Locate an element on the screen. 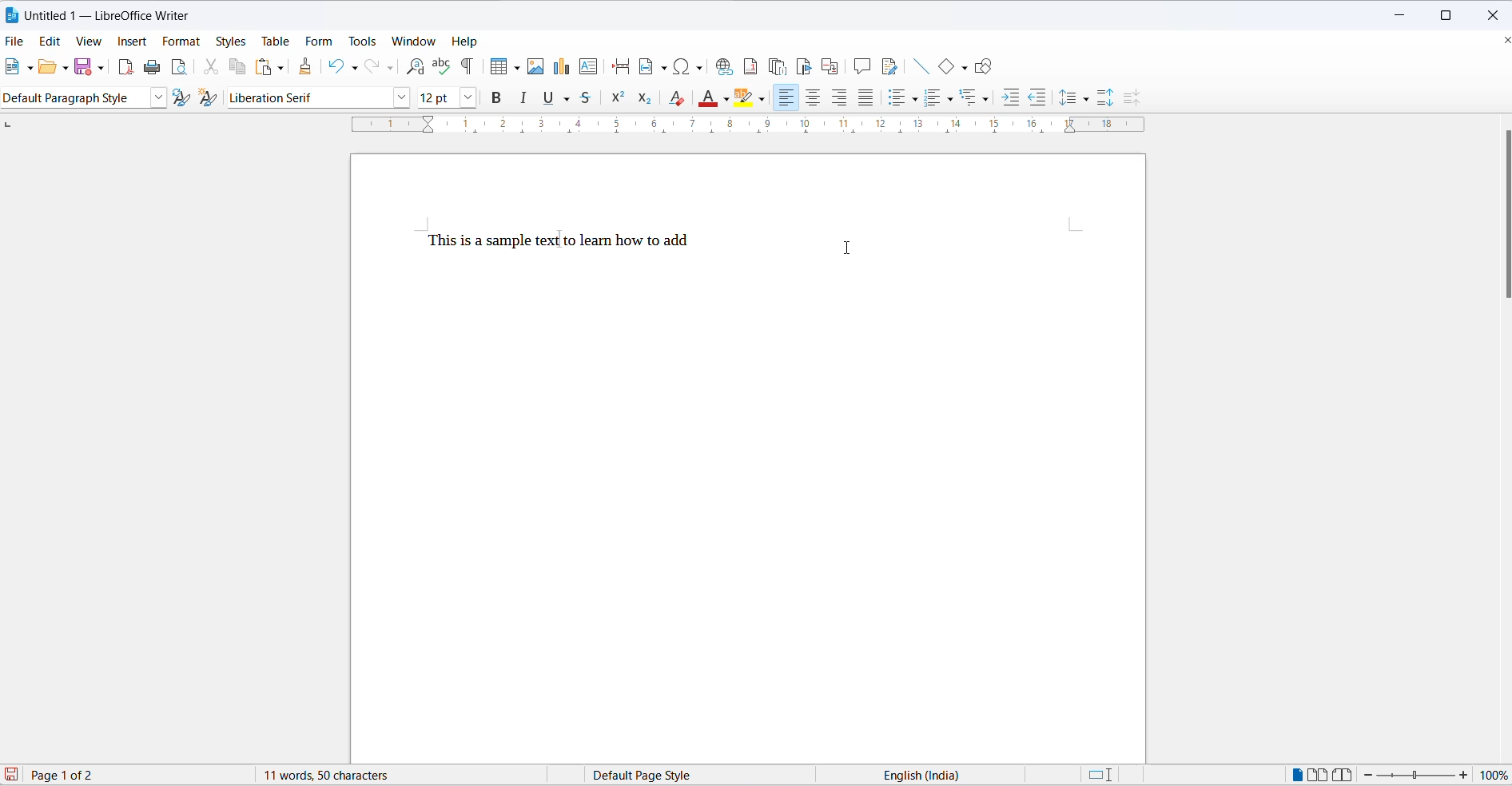  Default Page style is located at coordinates (647, 775).